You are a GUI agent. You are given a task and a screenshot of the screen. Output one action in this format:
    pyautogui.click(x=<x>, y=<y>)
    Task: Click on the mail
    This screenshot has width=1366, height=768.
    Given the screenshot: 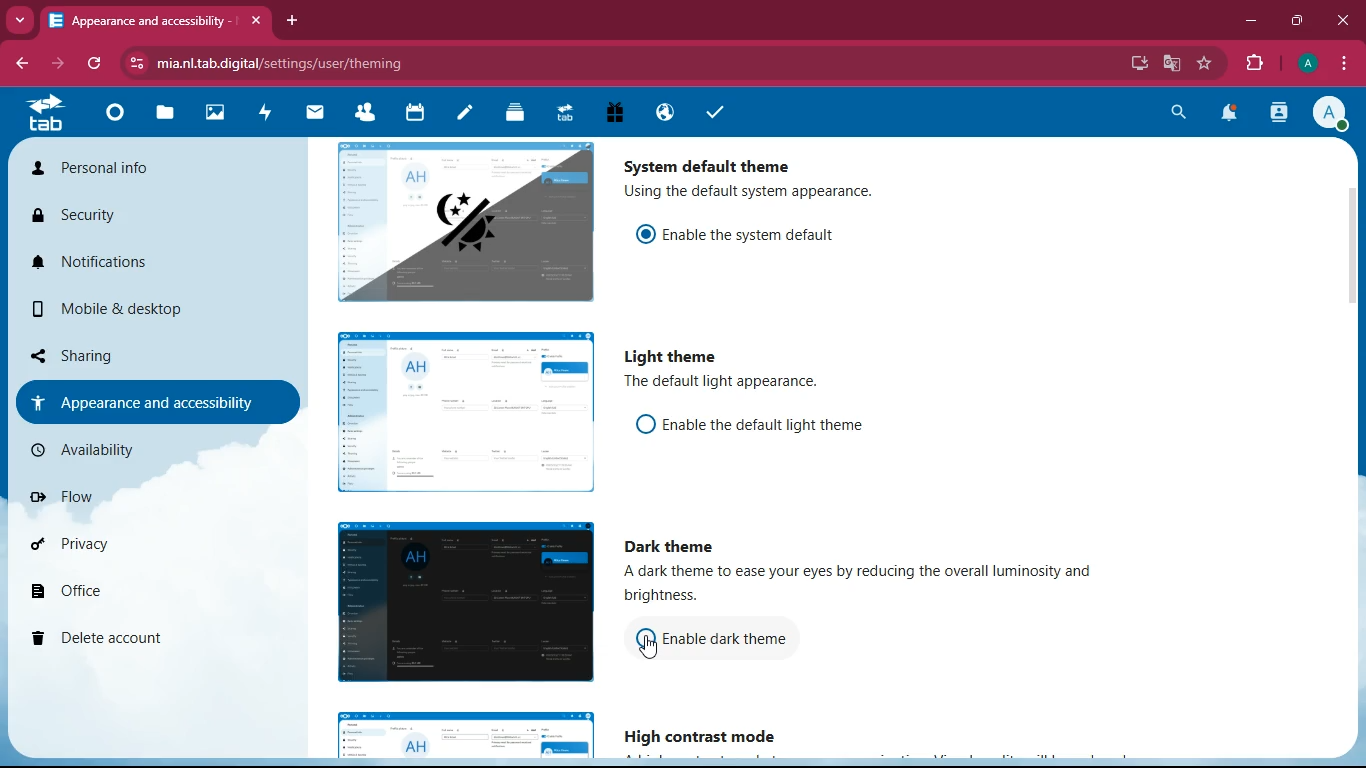 What is the action you would take?
    pyautogui.click(x=316, y=112)
    